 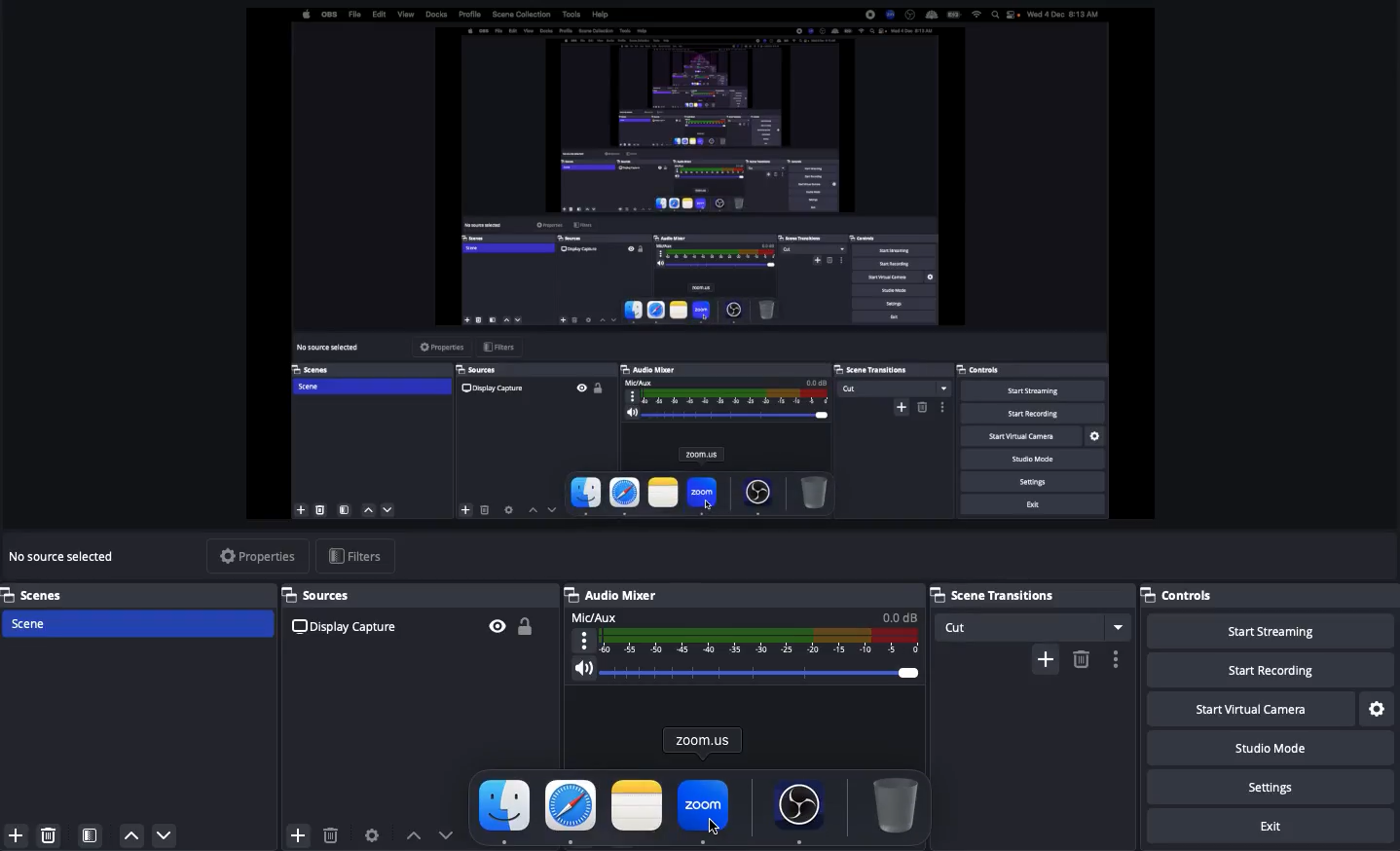 I want to click on Sources, so click(x=328, y=595).